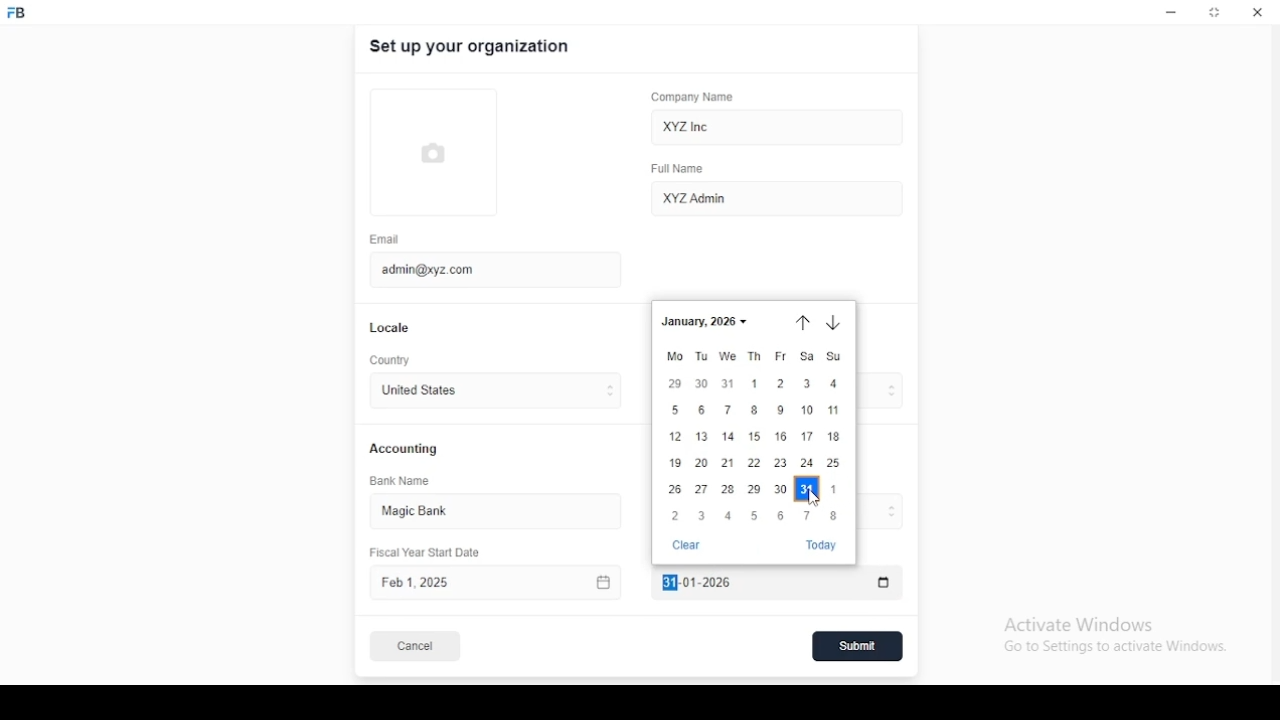  What do you see at coordinates (833, 488) in the screenshot?
I see `1` at bounding box center [833, 488].